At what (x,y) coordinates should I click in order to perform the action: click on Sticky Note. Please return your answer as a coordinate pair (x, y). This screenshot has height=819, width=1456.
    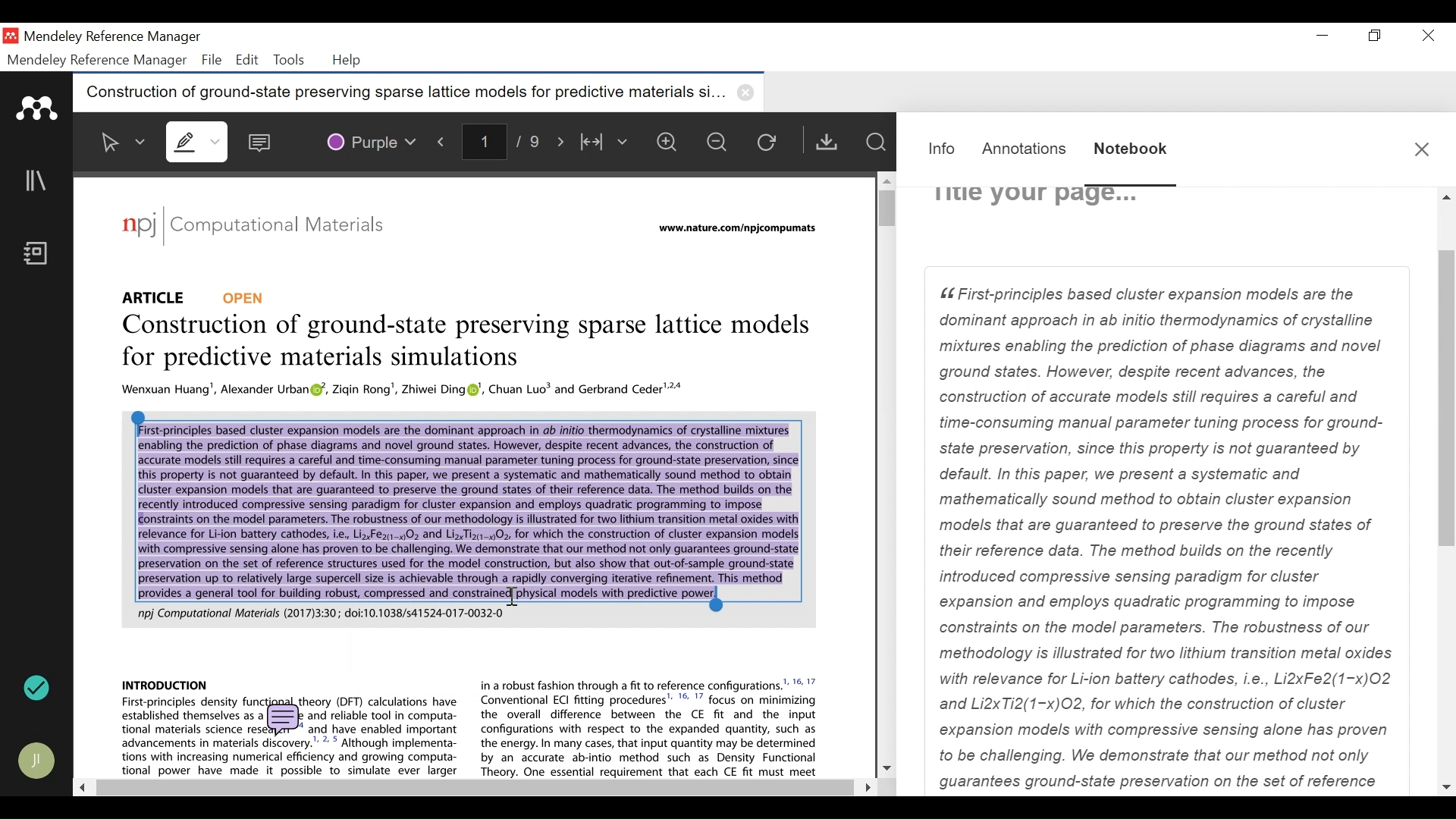
    Looking at the image, I should click on (263, 139).